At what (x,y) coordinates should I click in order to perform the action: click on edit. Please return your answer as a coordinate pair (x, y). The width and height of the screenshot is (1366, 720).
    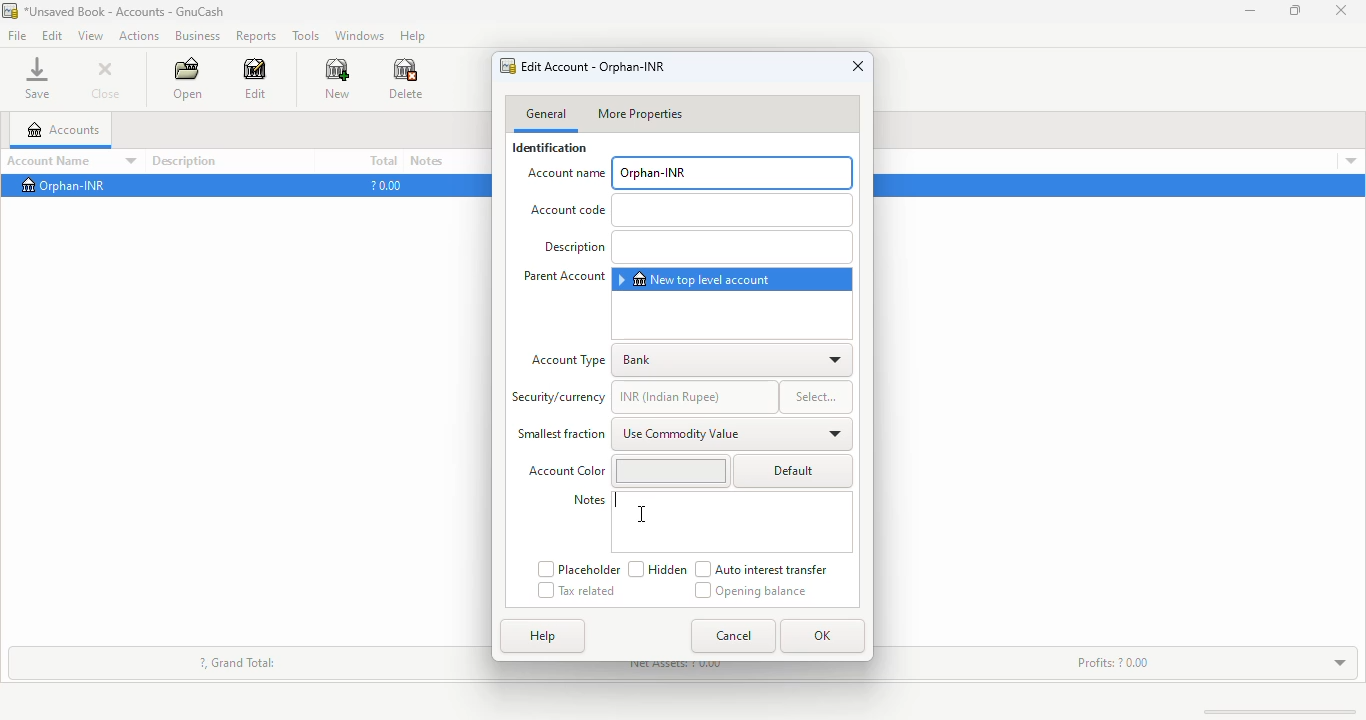
    Looking at the image, I should click on (53, 35).